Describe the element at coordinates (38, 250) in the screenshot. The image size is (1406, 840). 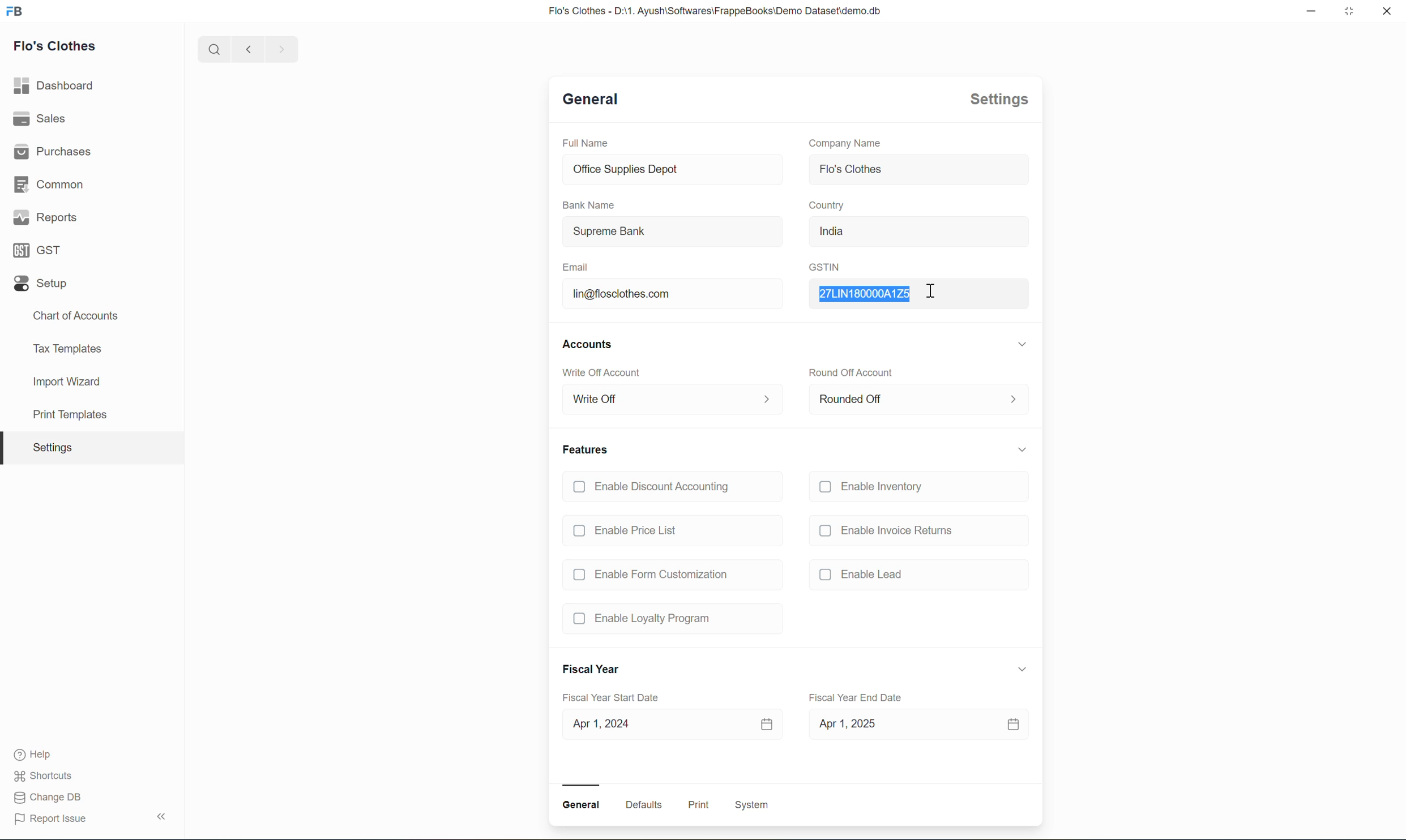
I see `GST` at that location.